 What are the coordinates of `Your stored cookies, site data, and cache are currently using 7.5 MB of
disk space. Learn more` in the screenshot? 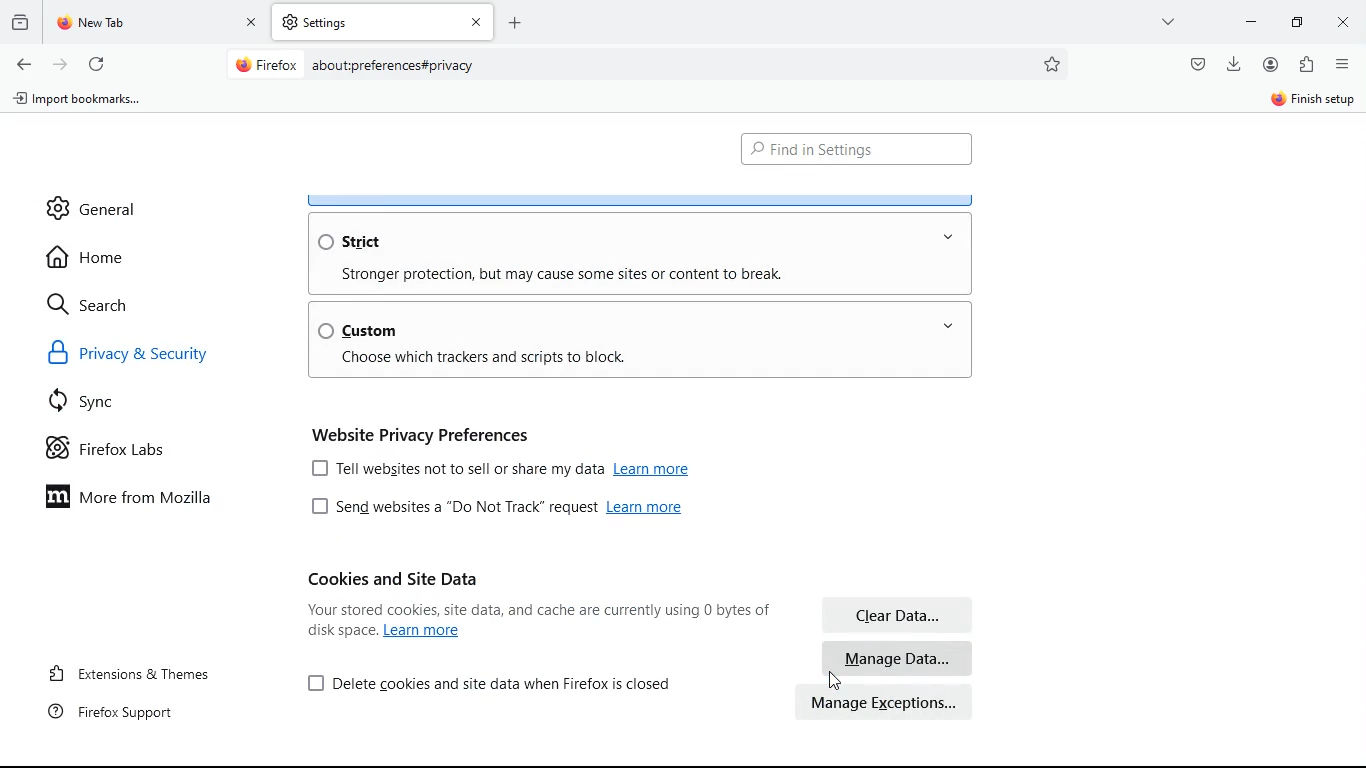 It's located at (530, 621).